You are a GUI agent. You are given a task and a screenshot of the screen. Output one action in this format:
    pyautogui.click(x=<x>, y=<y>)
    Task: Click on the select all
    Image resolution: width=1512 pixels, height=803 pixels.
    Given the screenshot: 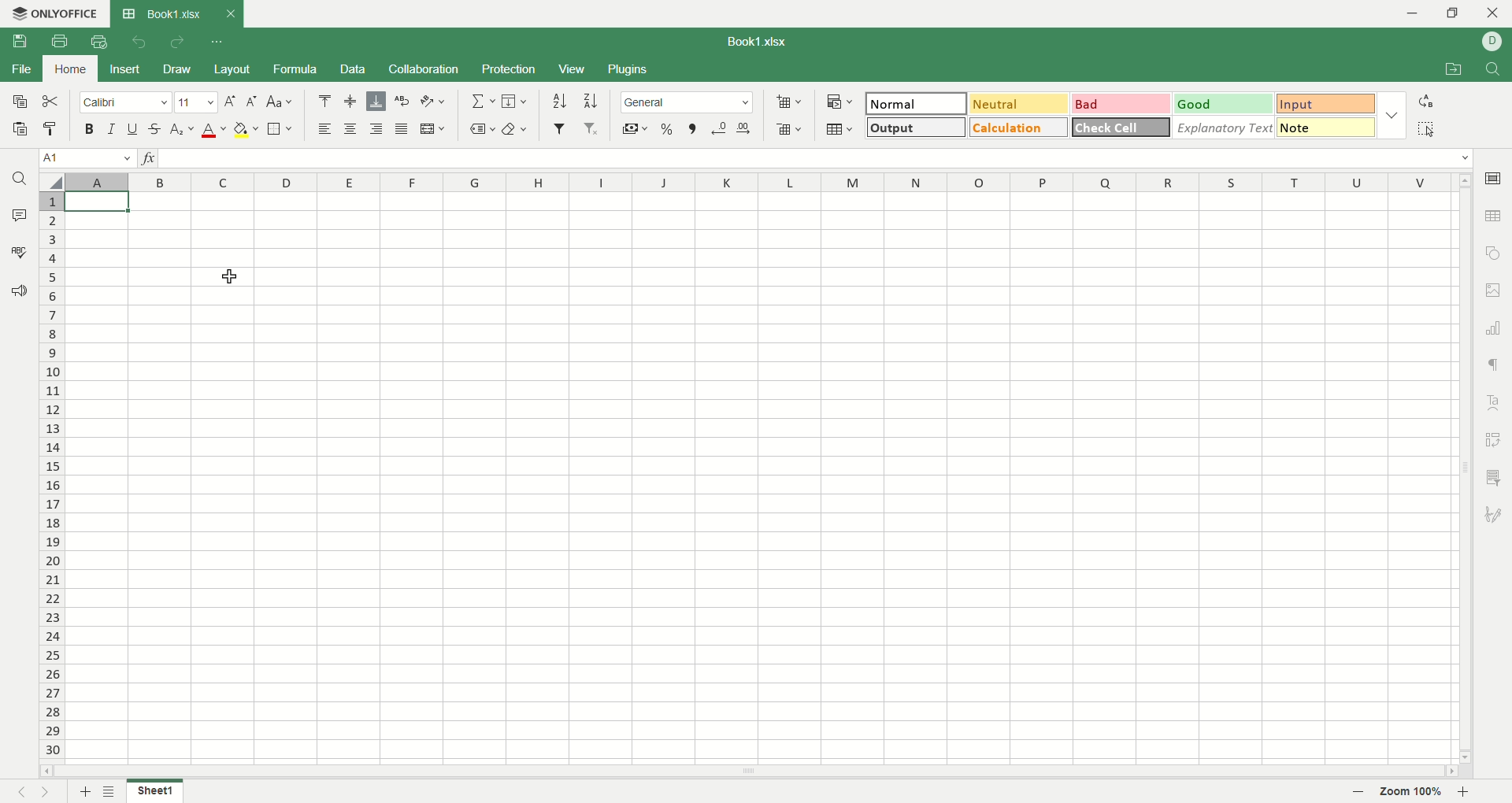 What is the action you would take?
    pyautogui.click(x=1426, y=128)
    